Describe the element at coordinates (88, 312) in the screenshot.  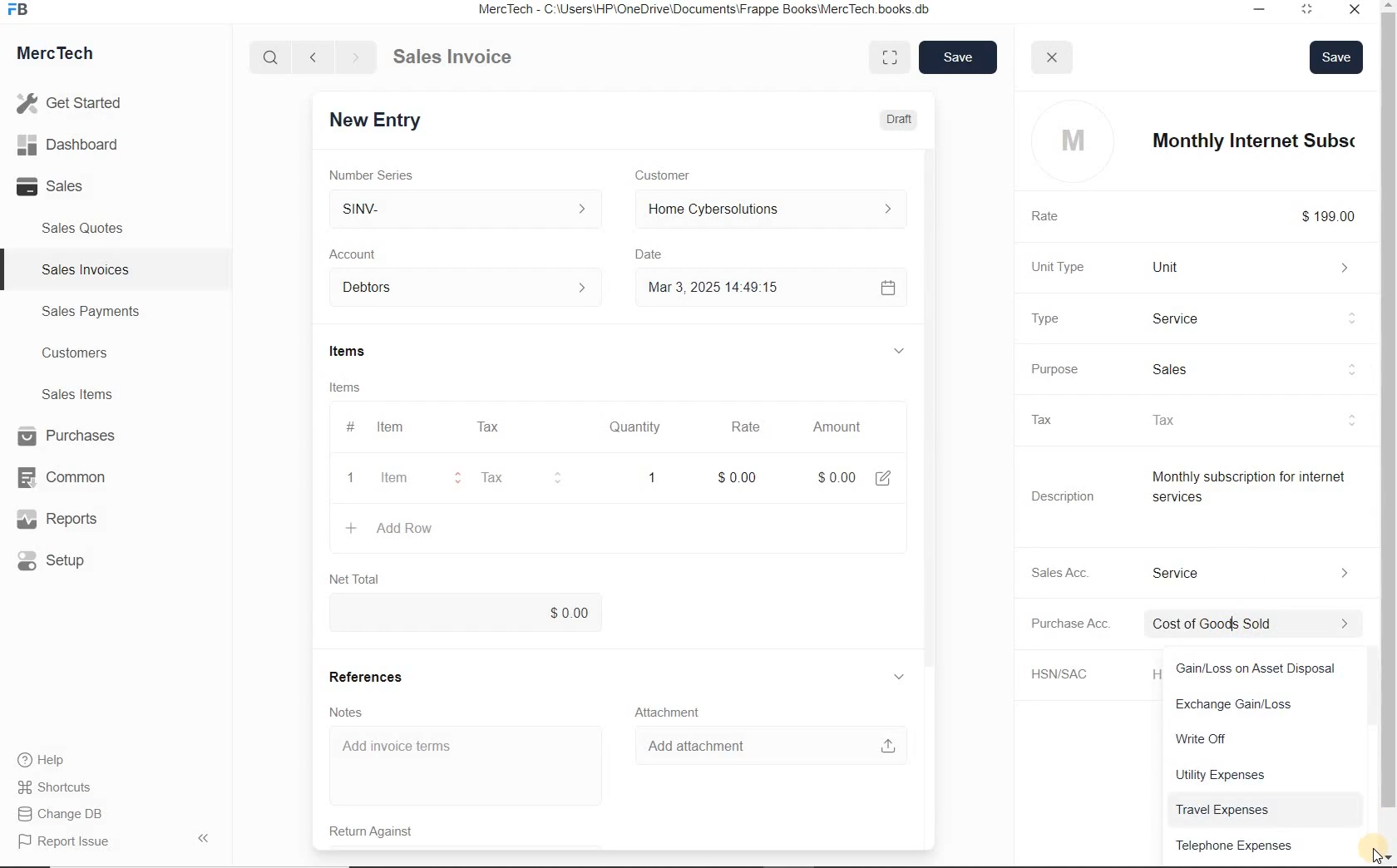
I see `Sales Payments` at that location.